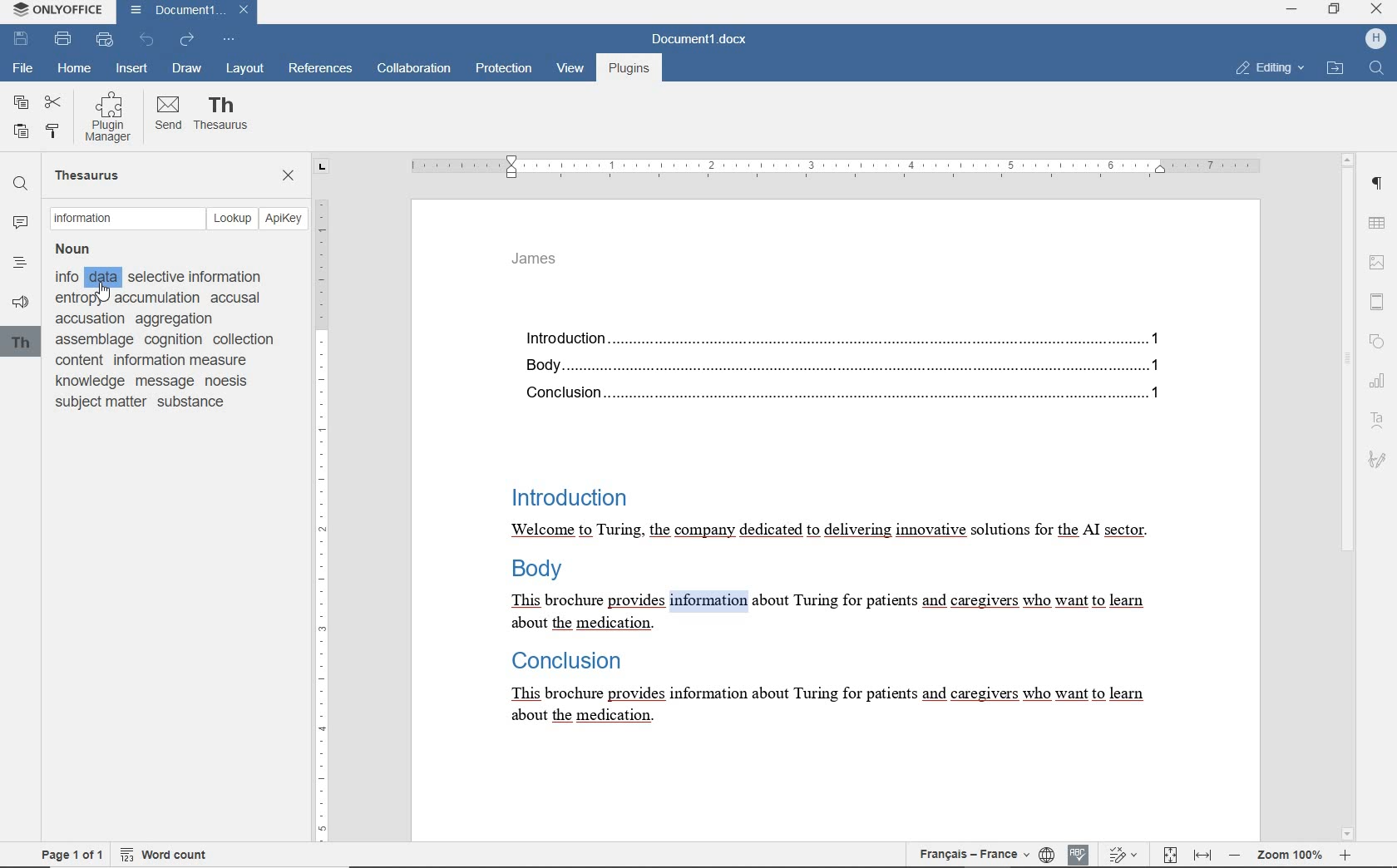 The image size is (1397, 868). Describe the element at coordinates (18, 223) in the screenshot. I see `COMMENTS` at that location.